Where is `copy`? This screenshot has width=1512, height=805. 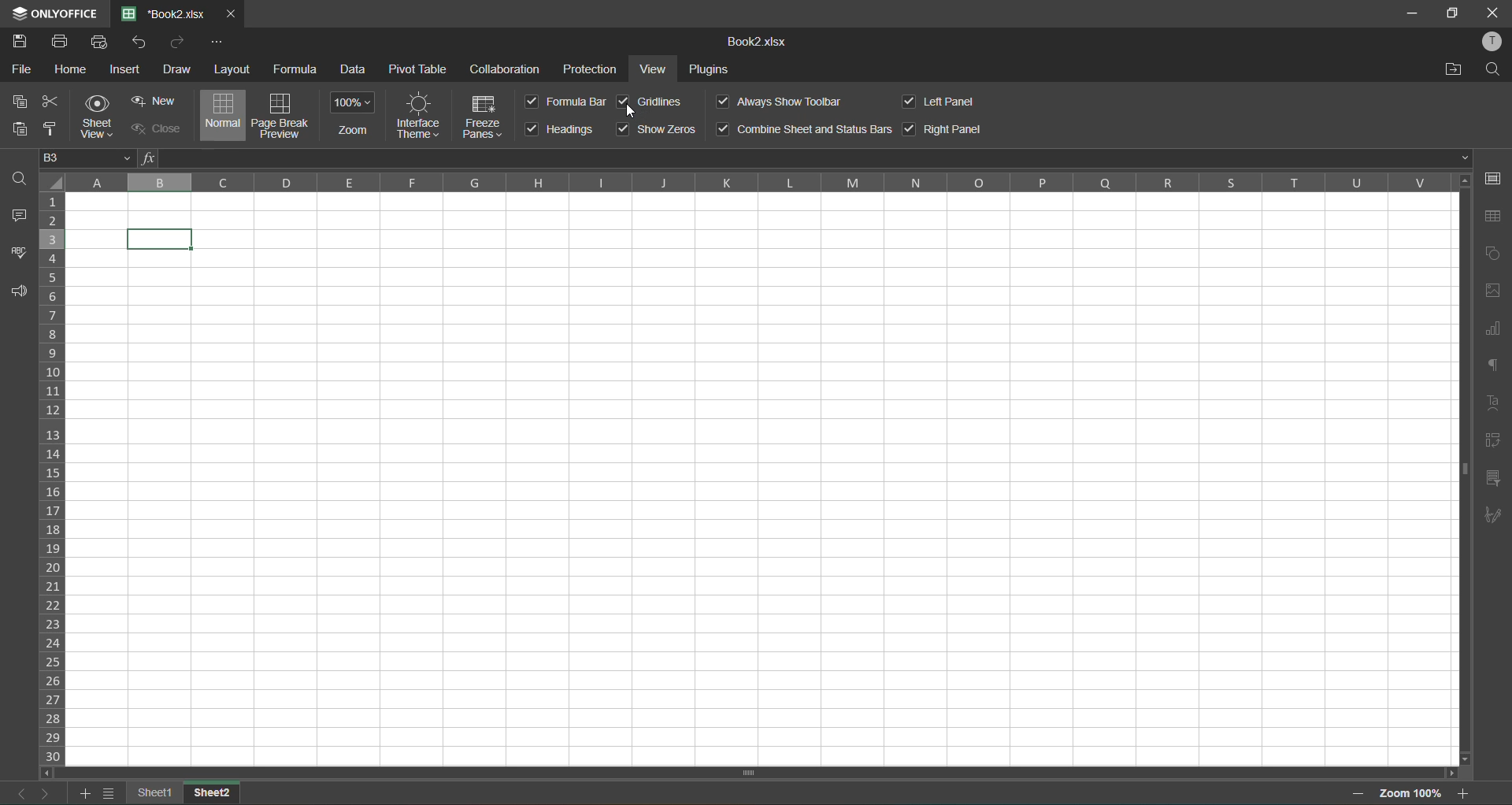
copy is located at coordinates (15, 102).